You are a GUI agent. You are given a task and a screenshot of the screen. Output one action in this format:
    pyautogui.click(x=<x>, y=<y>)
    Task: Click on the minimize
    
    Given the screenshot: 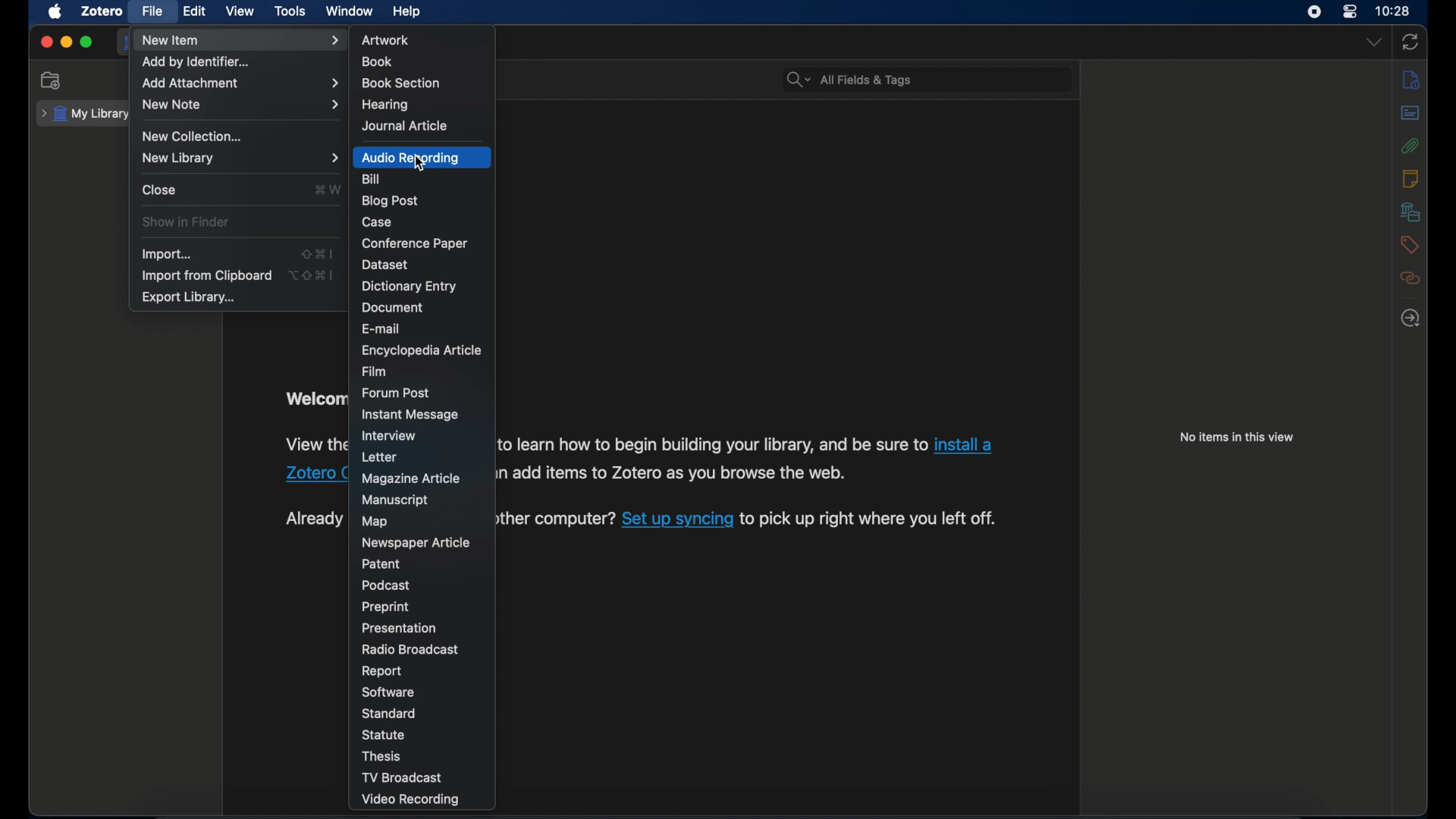 What is the action you would take?
    pyautogui.click(x=65, y=42)
    